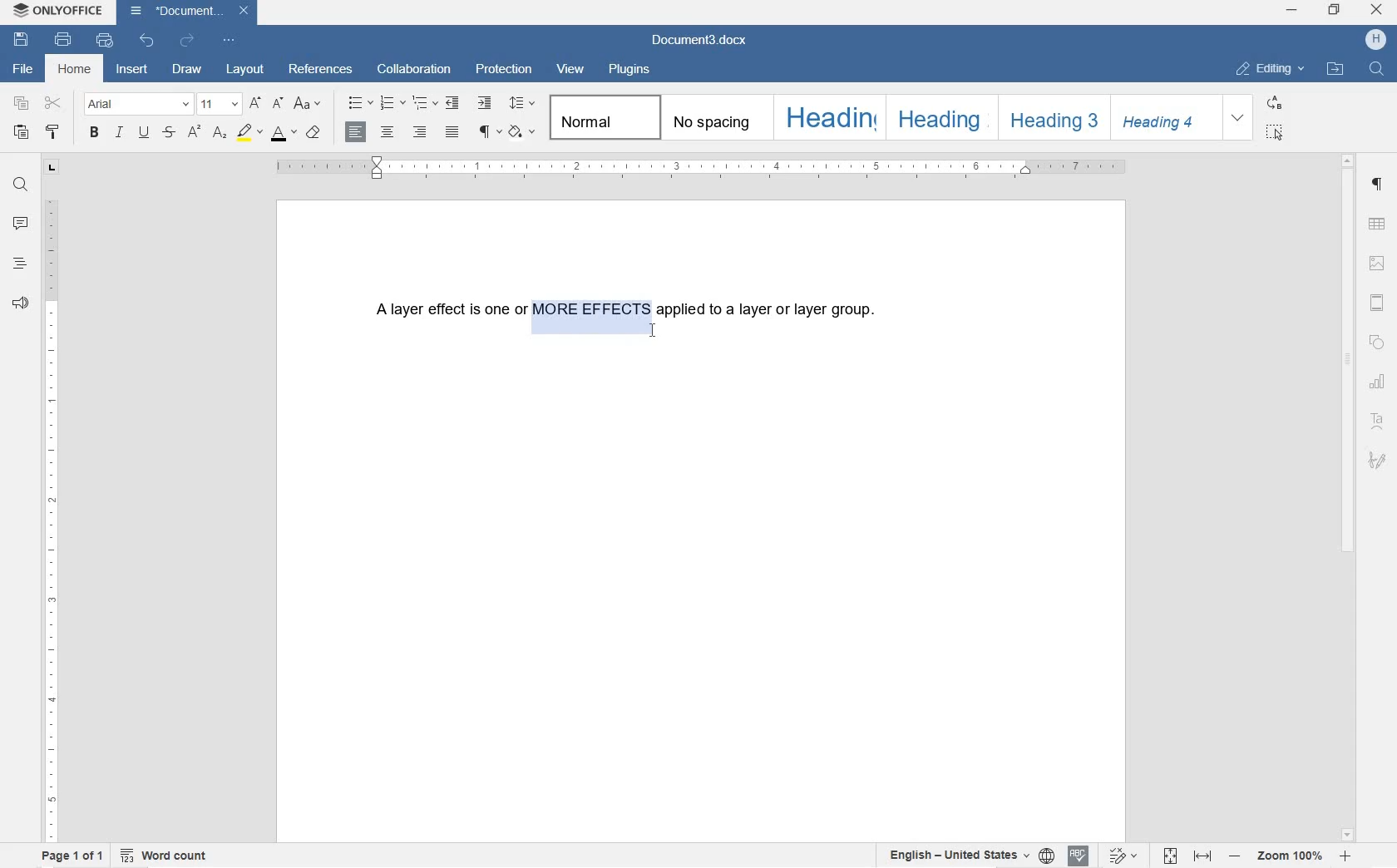  Describe the element at coordinates (21, 184) in the screenshot. I see `FIND` at that location.